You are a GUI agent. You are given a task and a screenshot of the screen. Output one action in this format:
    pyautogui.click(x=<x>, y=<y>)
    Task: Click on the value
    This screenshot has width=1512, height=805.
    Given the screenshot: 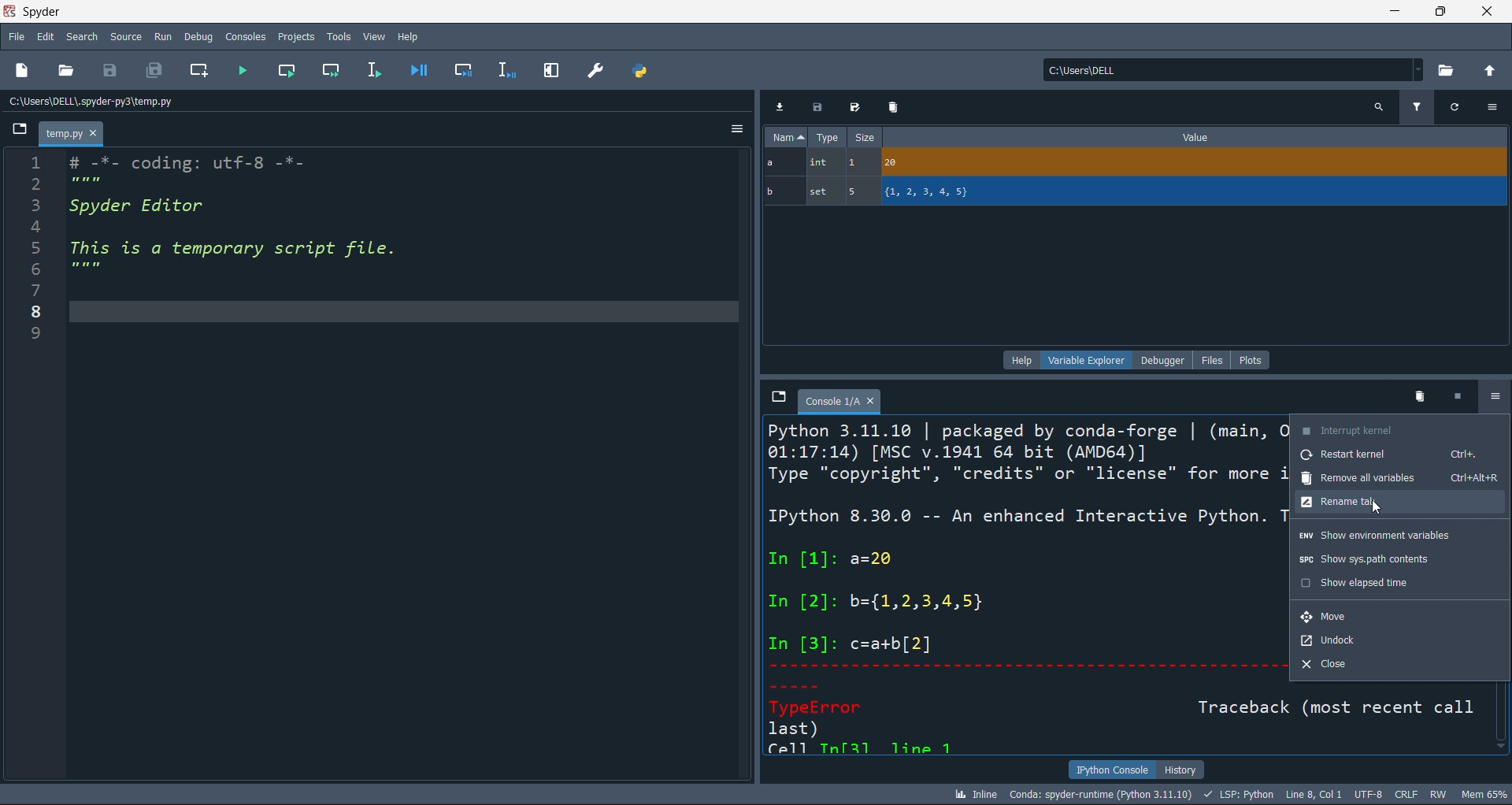 What is the action you would take?
    pyautogui.click(x=1195, y=137)
    